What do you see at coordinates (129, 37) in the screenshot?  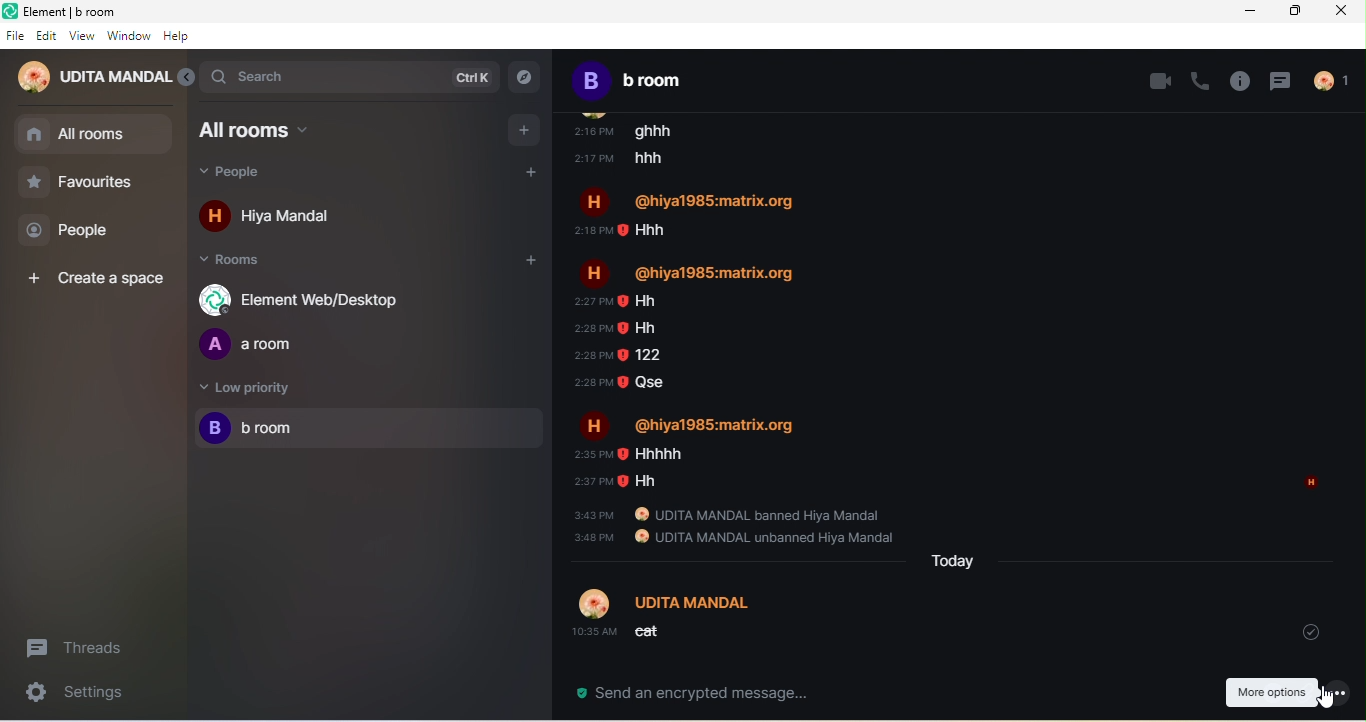 I see `window` at bounding box center [129, 37].